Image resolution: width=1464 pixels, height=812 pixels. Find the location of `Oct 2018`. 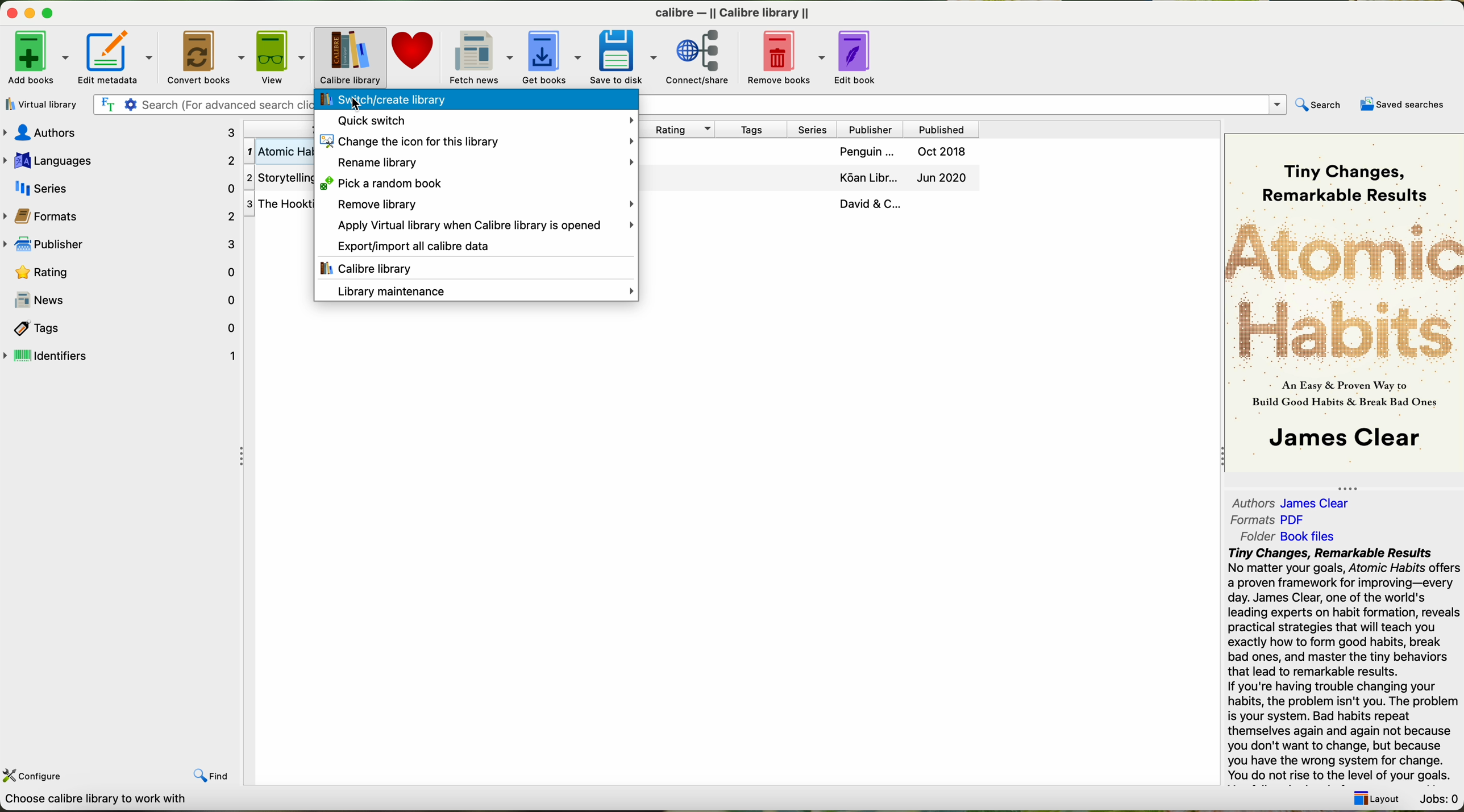

Oct 2018 is located at coordinates (904, 152).